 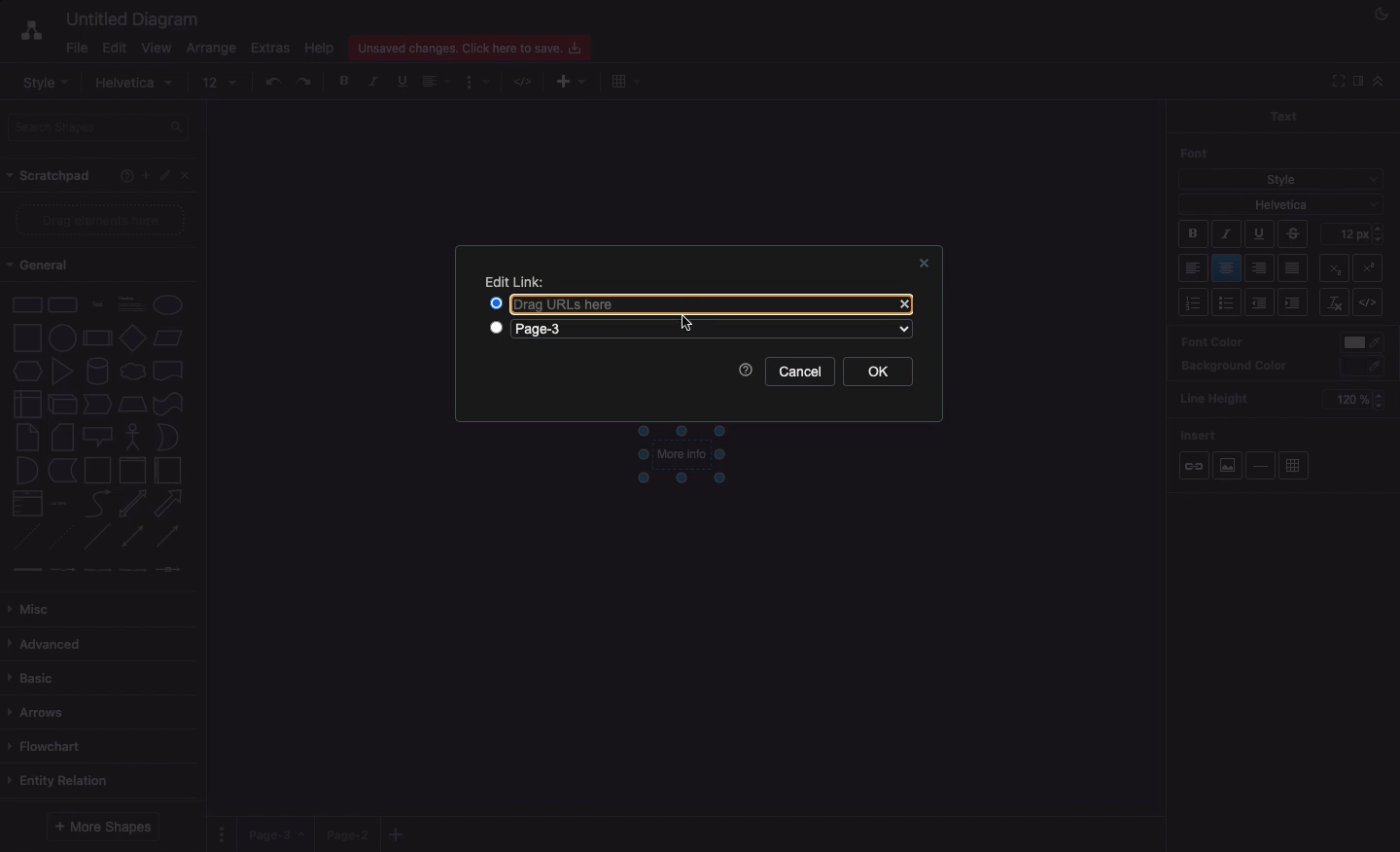 What do you see at coordinates (155, 45) in the screenshot?
I see `View` at bounding box center [155, 45].